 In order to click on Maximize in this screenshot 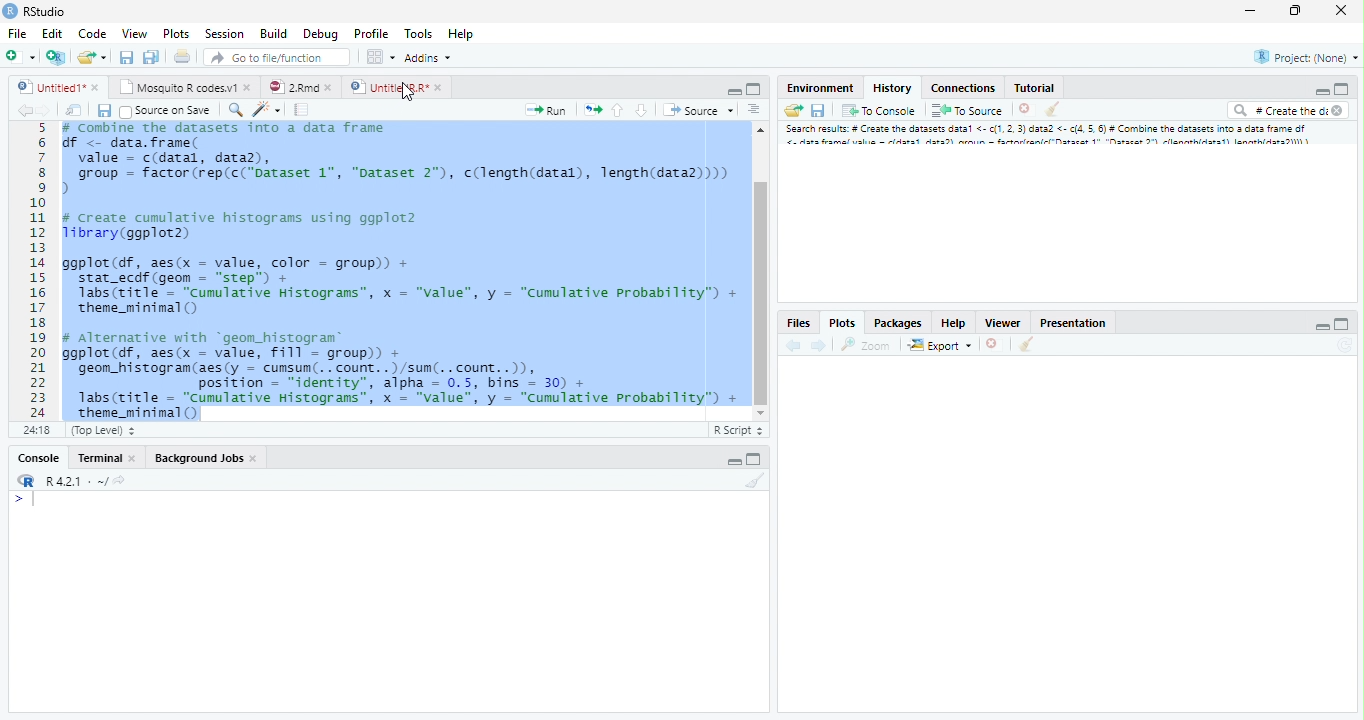, I will do `click(757, 460)`.